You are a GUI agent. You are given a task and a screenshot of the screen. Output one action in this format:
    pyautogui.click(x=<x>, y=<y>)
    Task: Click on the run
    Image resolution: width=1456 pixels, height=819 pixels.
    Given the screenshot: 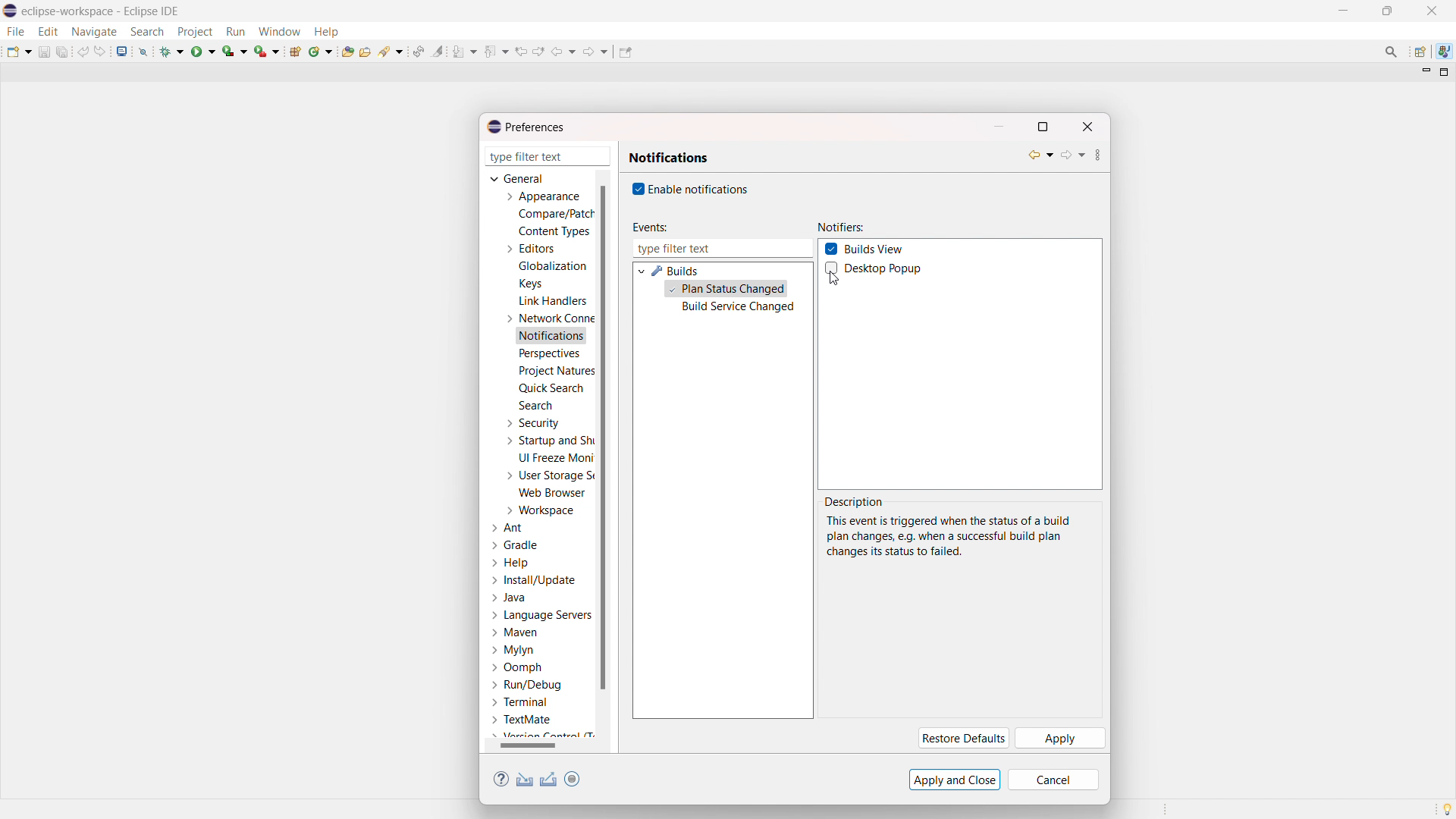 What is the action you would take?
    pyautogui.click(x=235, y=32)
    